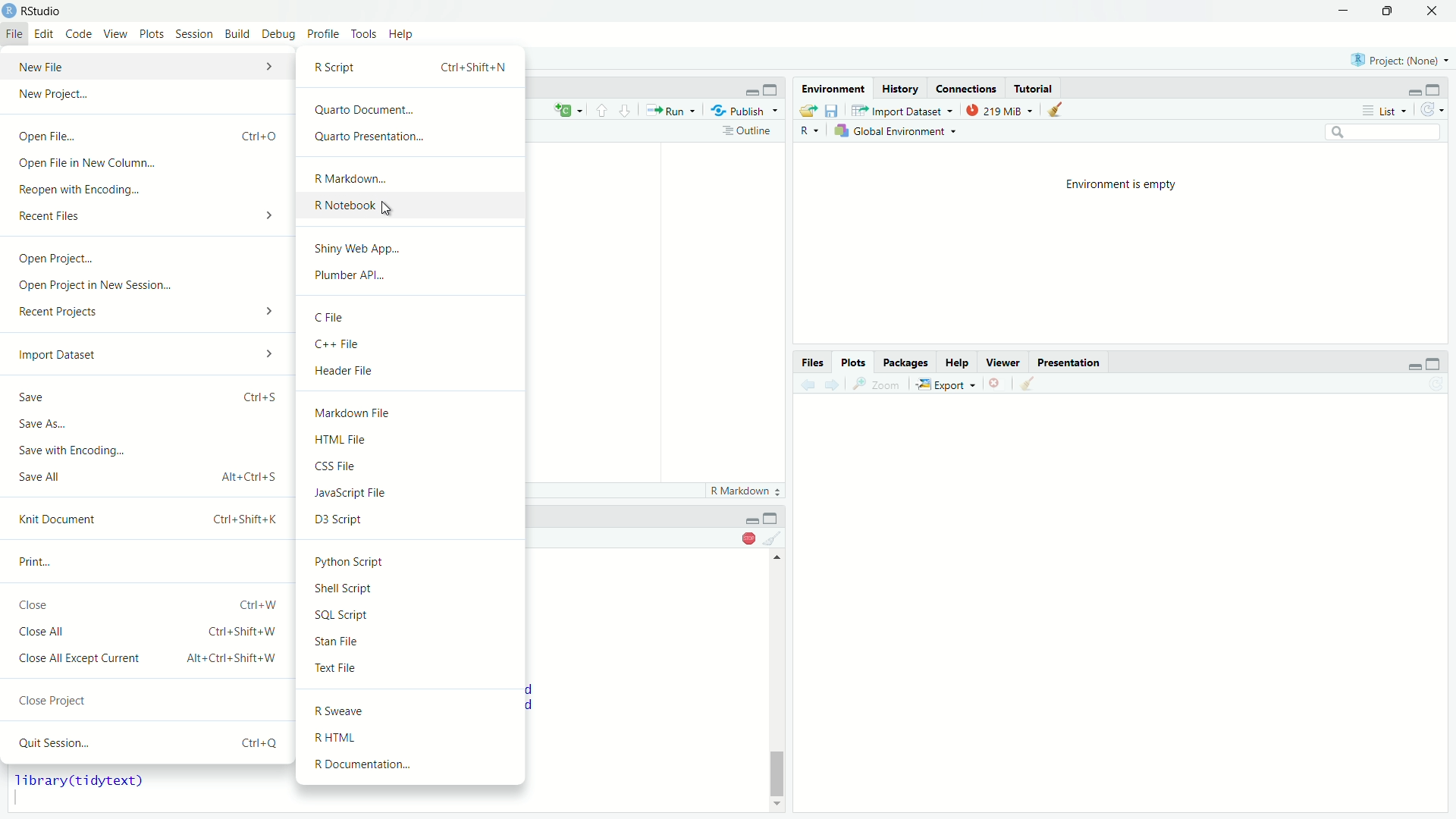 The height and width of the screenshot is (819, 1456). Describe the element at coordinates (43, 11) in the screenshot. I see `RStudio` at that location.